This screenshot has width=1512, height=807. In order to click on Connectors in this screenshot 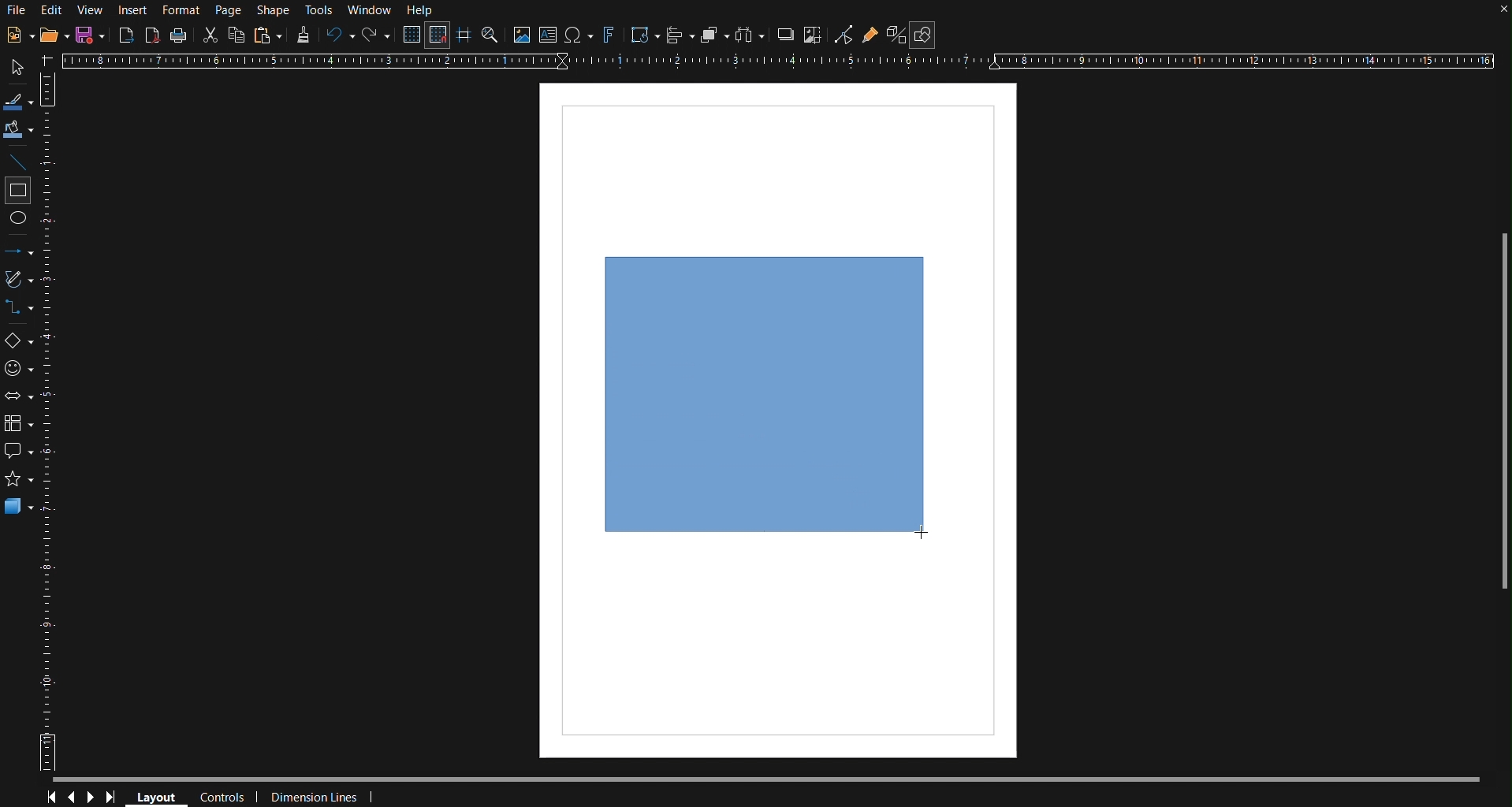, I will do `click(20, 308)`.